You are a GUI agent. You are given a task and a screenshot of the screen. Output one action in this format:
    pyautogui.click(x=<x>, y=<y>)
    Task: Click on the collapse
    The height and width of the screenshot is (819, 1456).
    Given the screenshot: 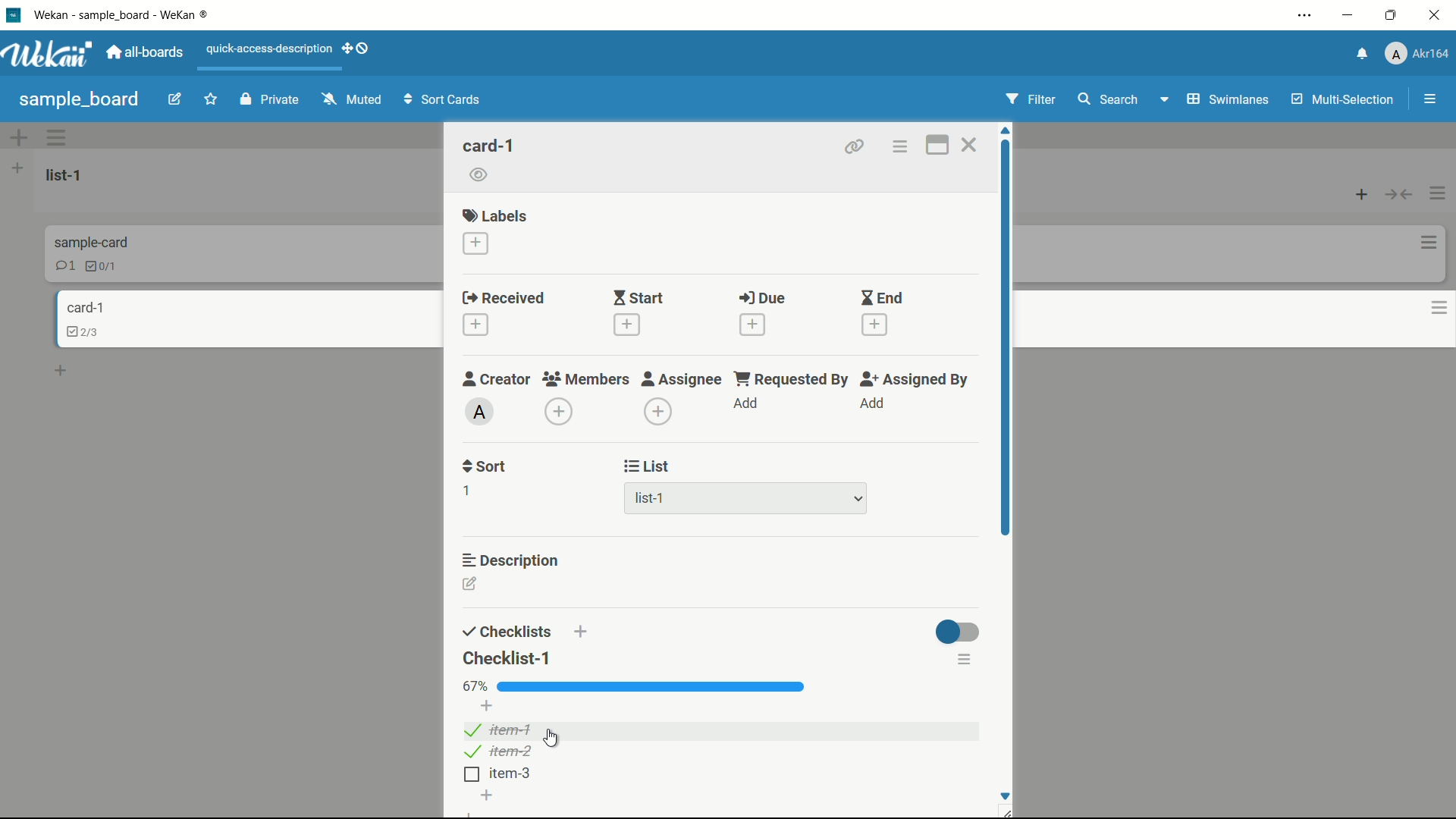 What is the action you would take?
    pyautogui.click(x=1398, y=193)
    